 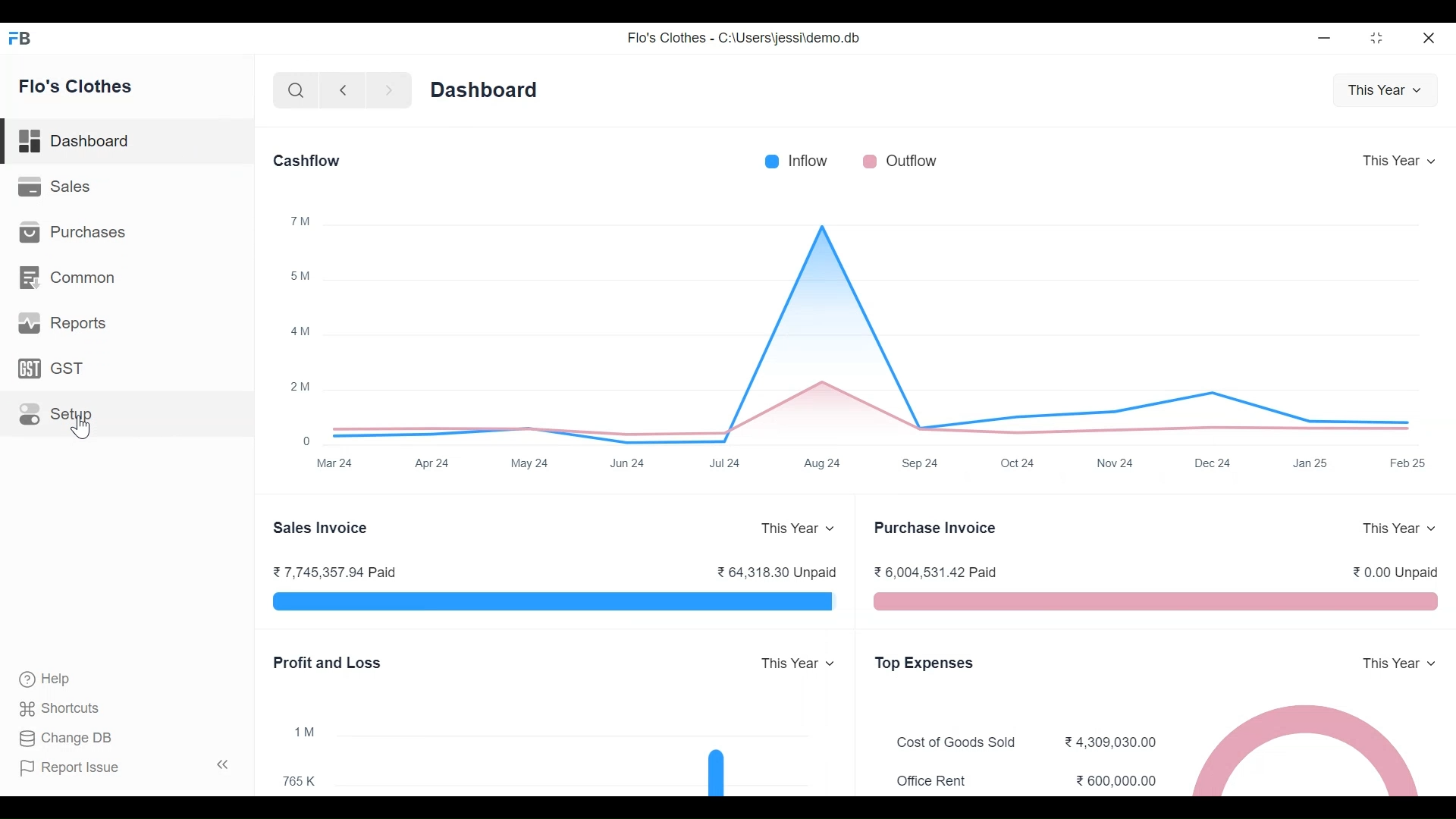 I want to click on close, so click(x=1428, y=37).